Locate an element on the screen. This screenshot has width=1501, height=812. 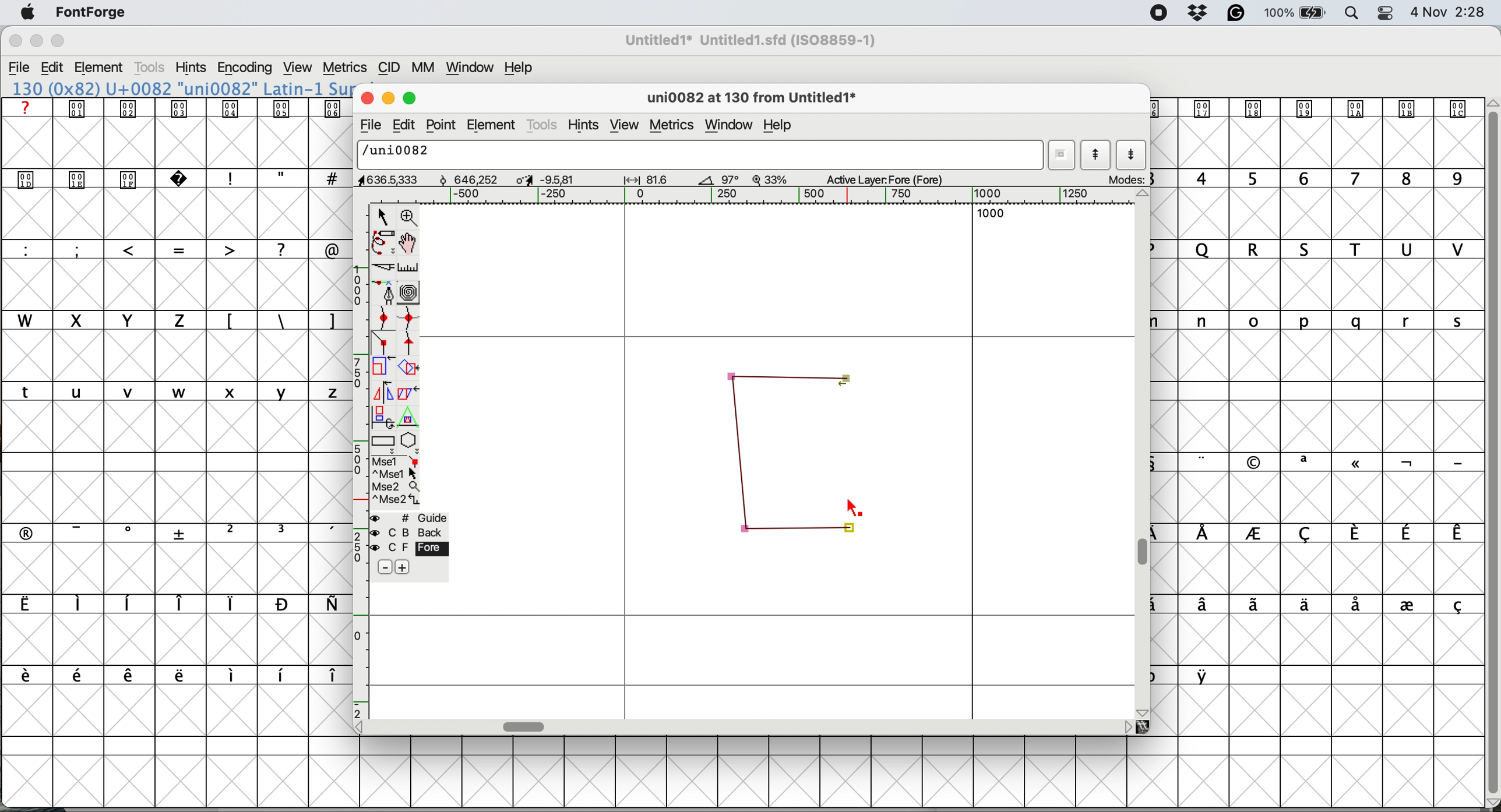
vertical scroll bar is located at coordinates (1491, 448).